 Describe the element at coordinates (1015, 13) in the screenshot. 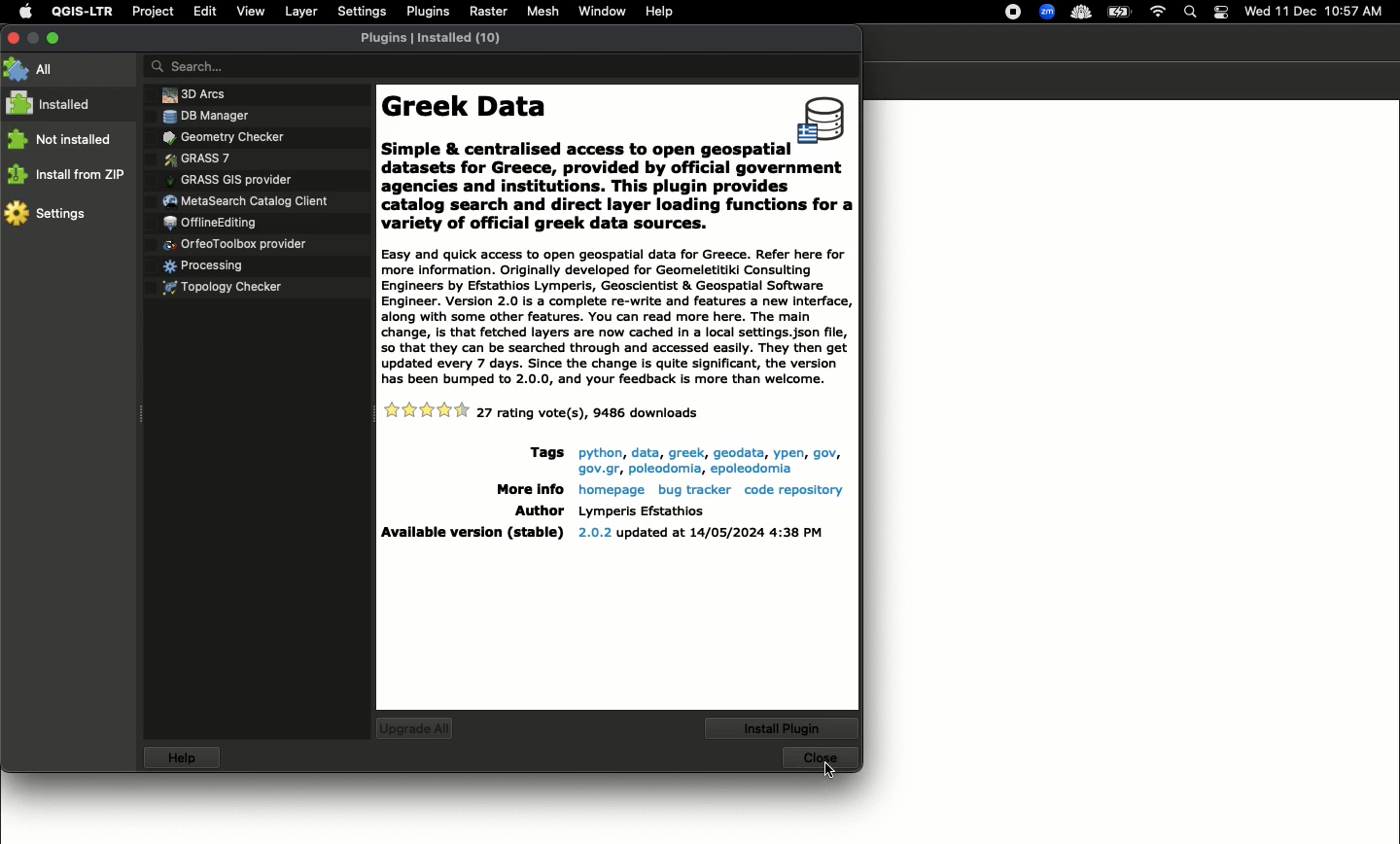

I see `Extension` at that location.